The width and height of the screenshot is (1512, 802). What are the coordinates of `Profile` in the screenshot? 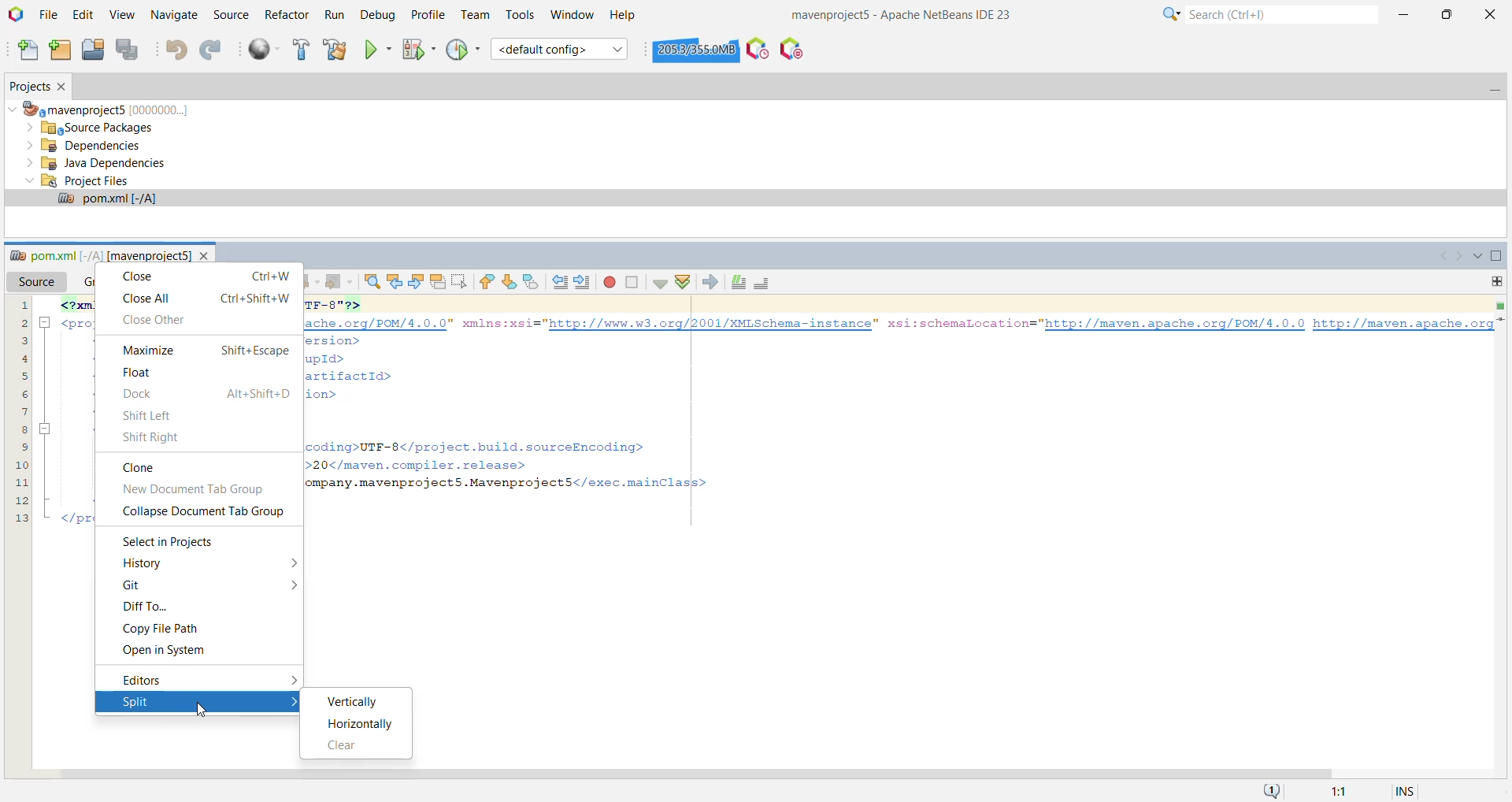 It's located at (426, 15).